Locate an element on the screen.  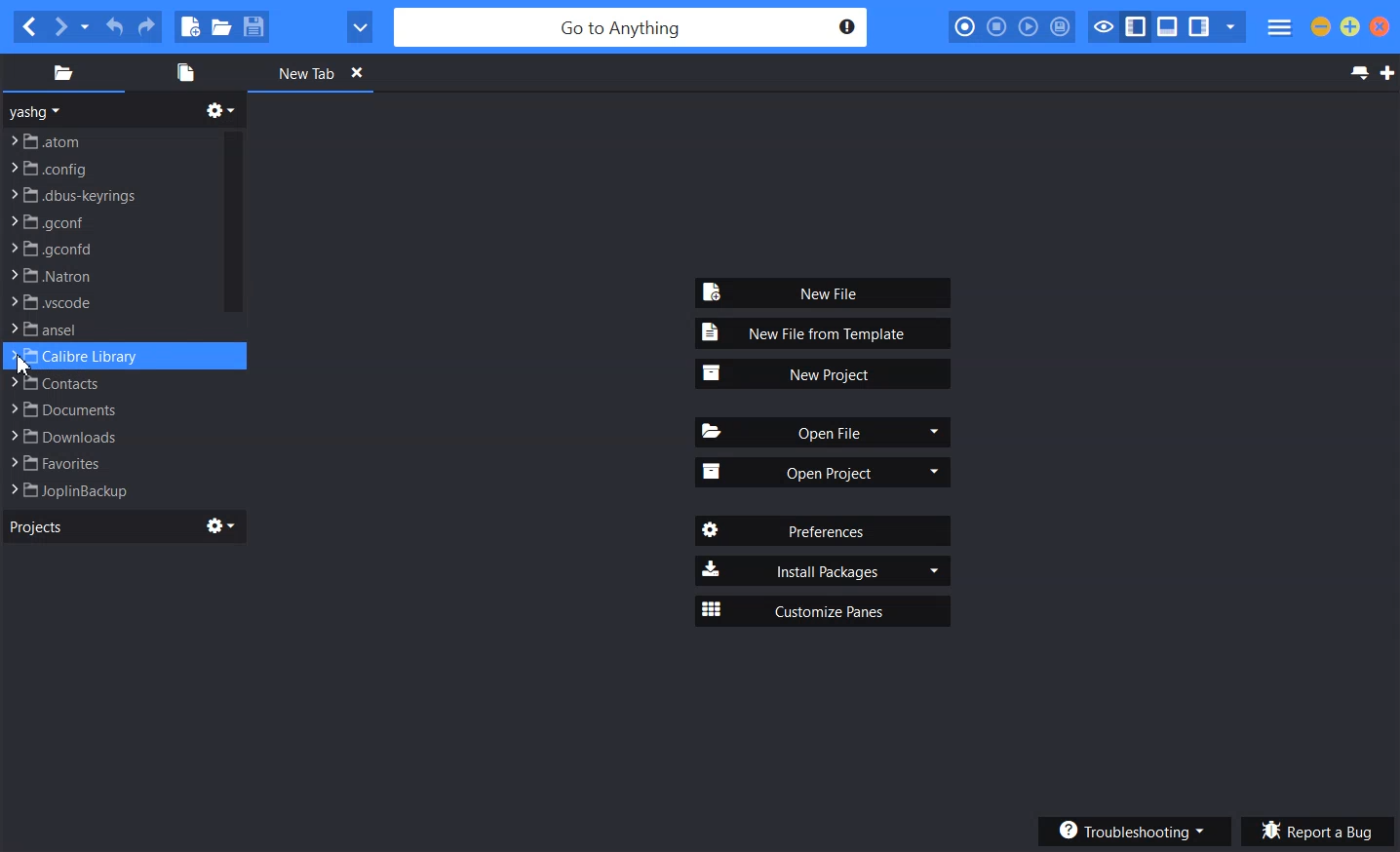
yashg is located at coordinates (38, 111).